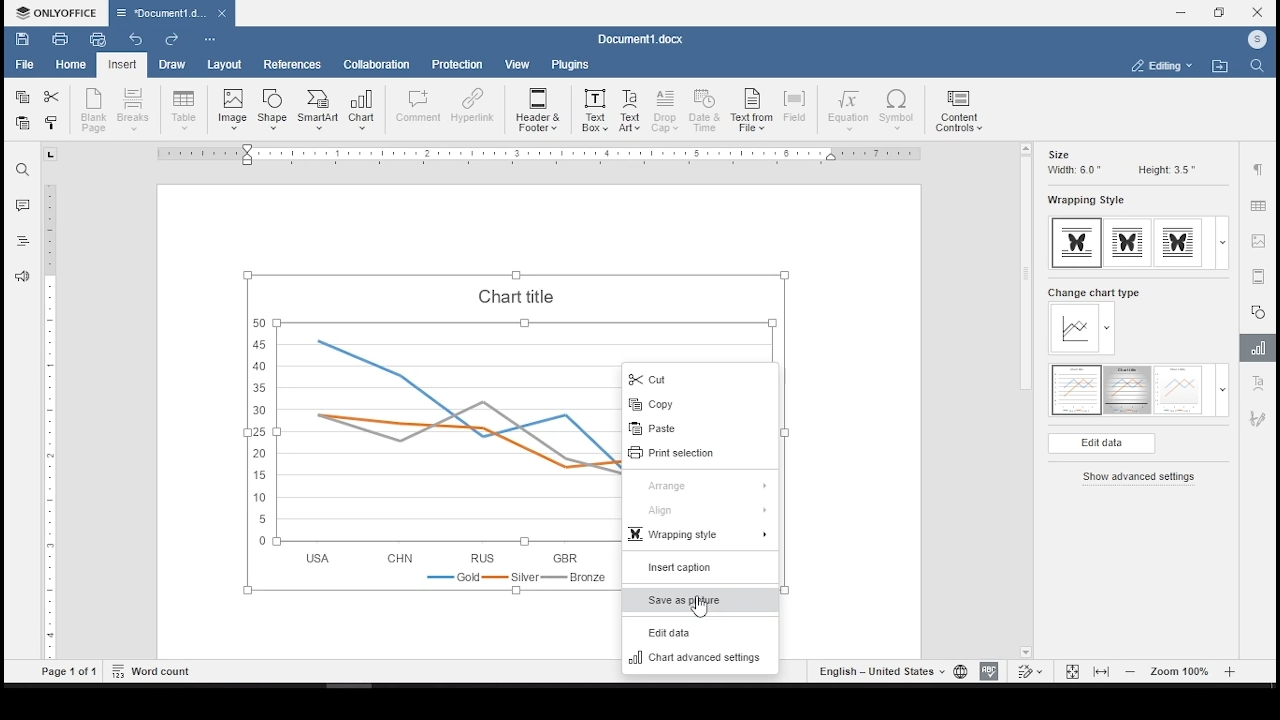 This screenshot has height=720, width=1280. Describe the element at coordinates (1179, 391) in the screenshot. I see `chart style 3` at that location.